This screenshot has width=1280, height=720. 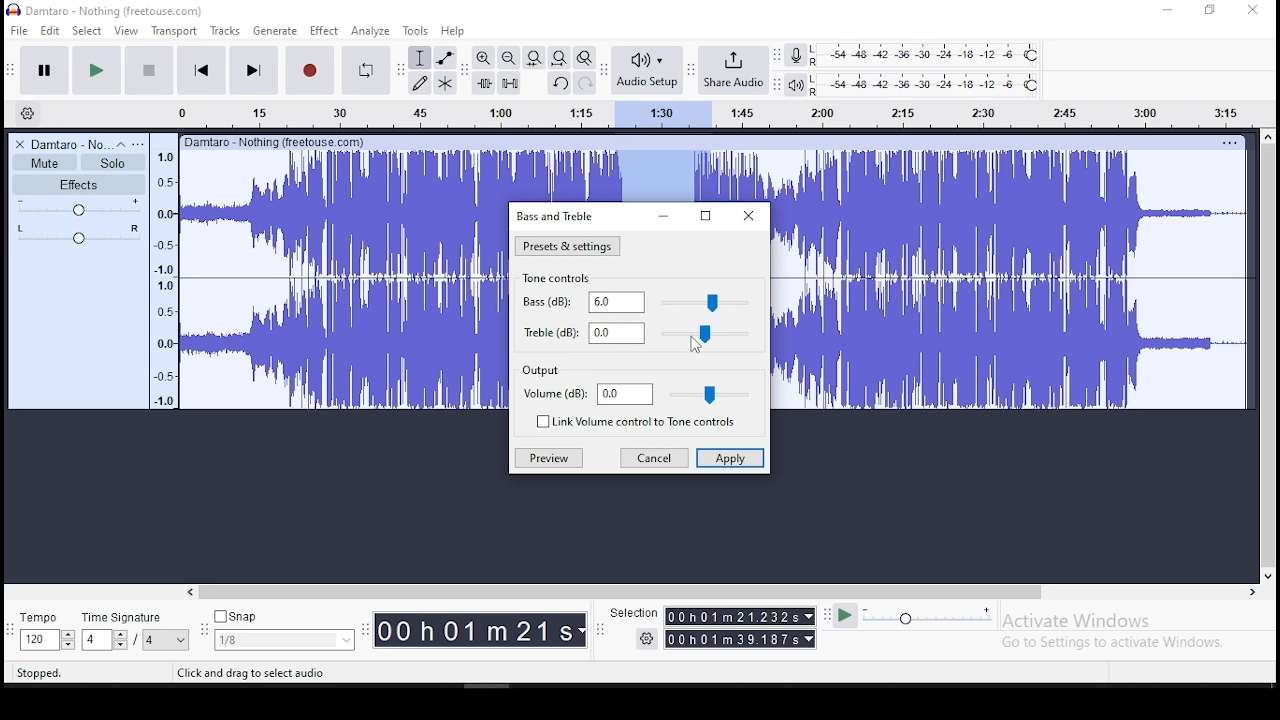 What do you see at coordinates (729, 460) in the screenshot?
I see `apply` at bounding box center [729, 460].